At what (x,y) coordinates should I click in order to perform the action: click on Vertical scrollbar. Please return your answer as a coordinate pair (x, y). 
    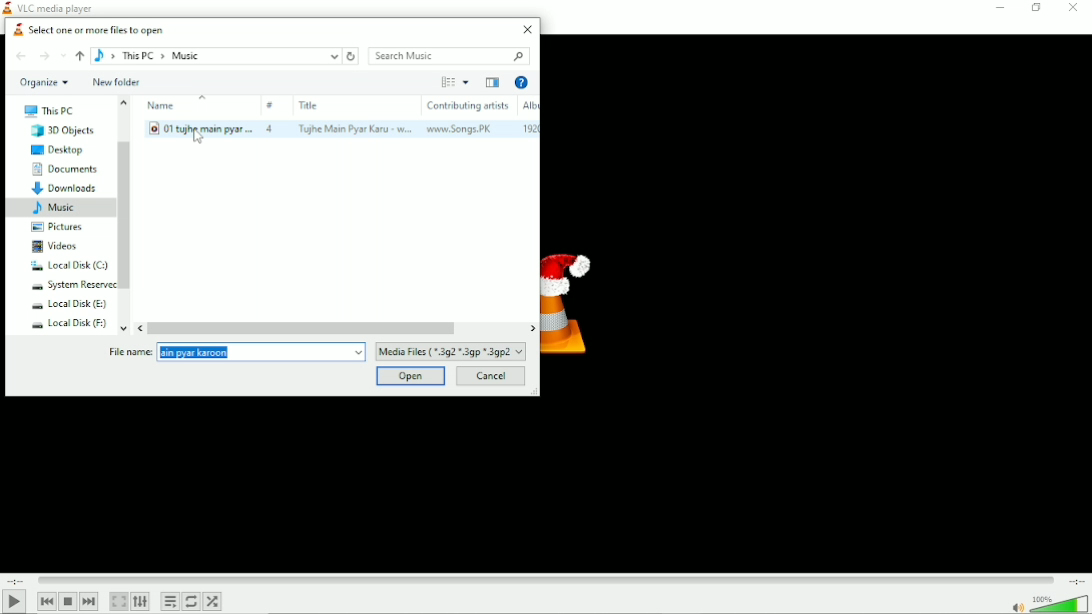
    Looking at the image, I should click on (125, 216).